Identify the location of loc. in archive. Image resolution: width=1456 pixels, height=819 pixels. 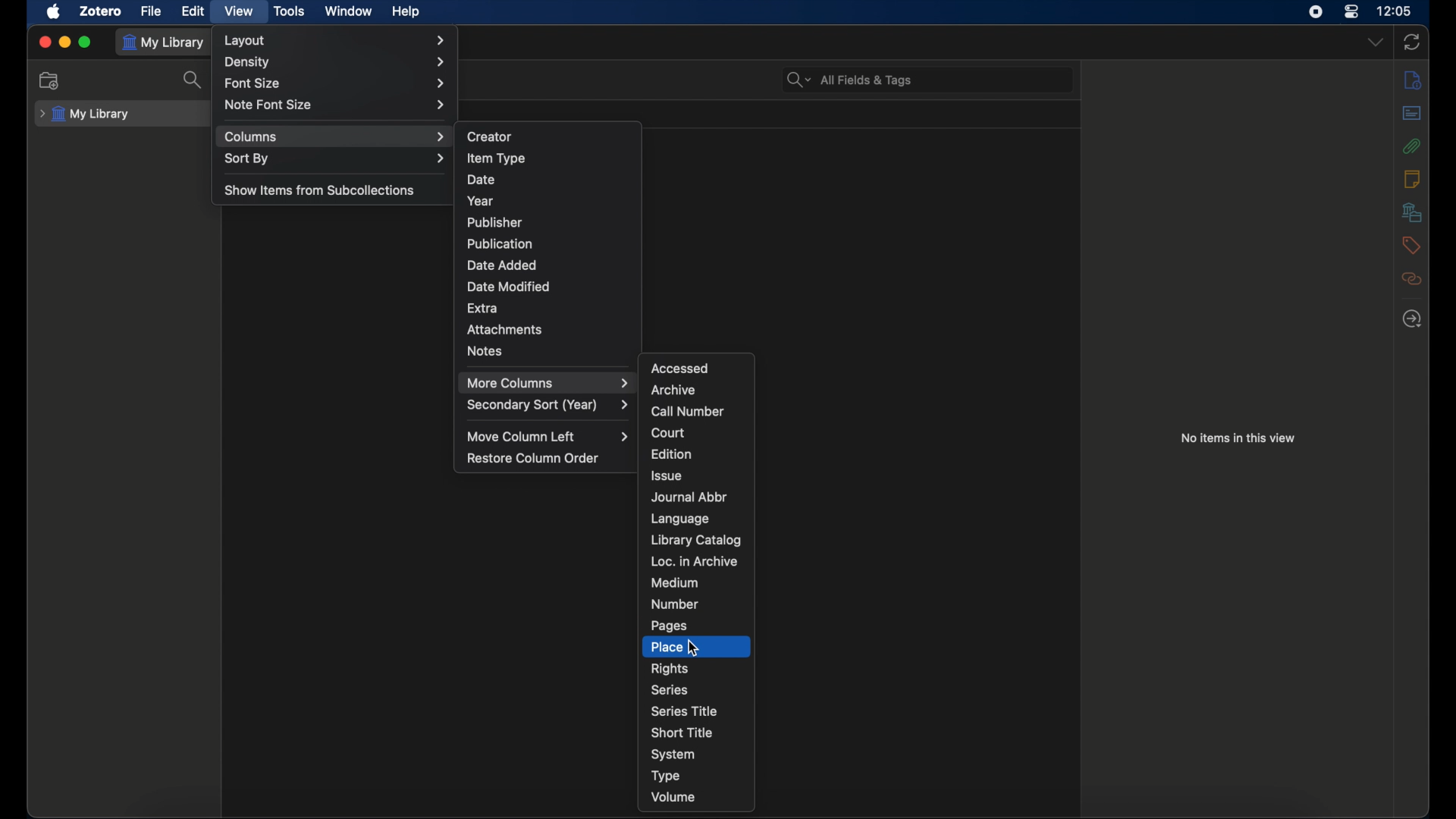
(695, 561).